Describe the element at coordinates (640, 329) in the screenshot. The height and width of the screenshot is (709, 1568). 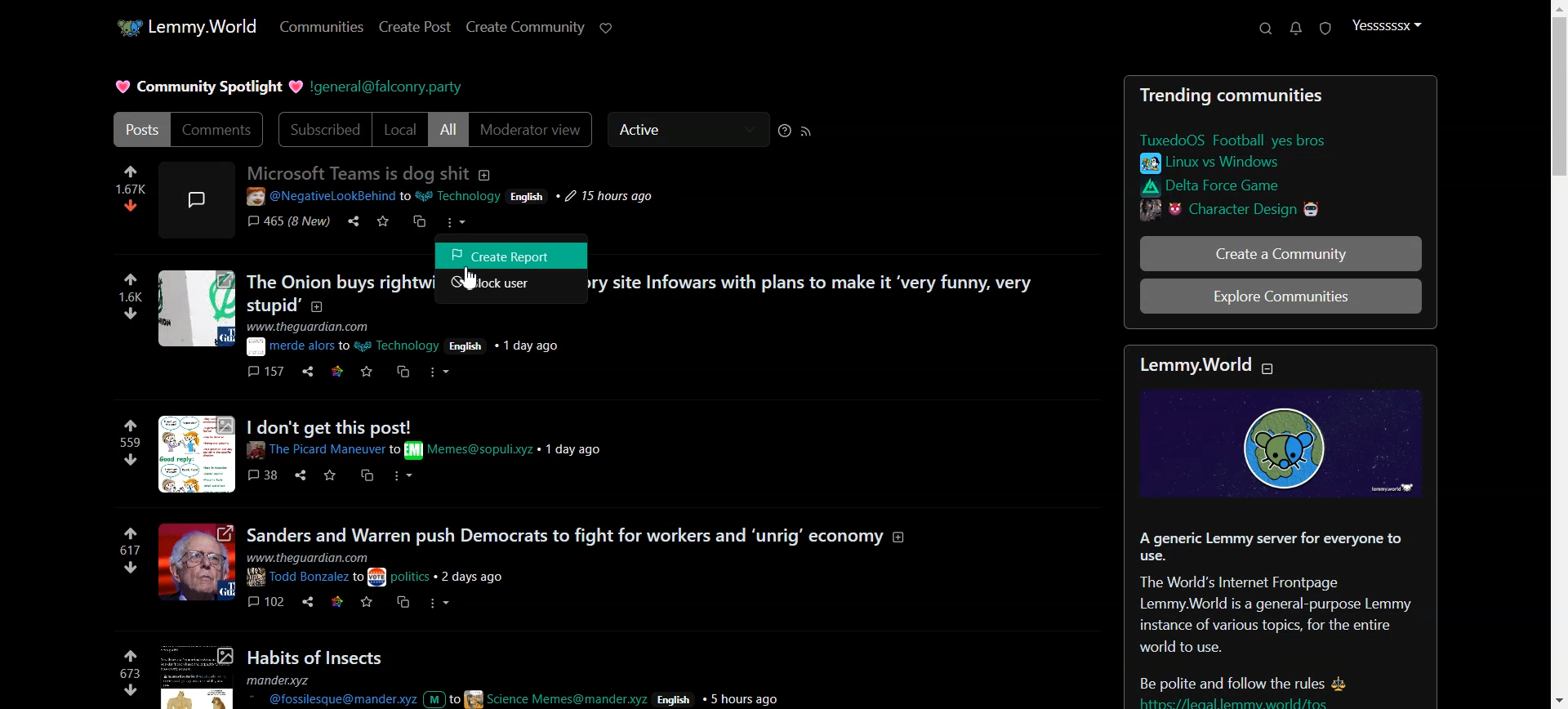
I see `posts` at that location.